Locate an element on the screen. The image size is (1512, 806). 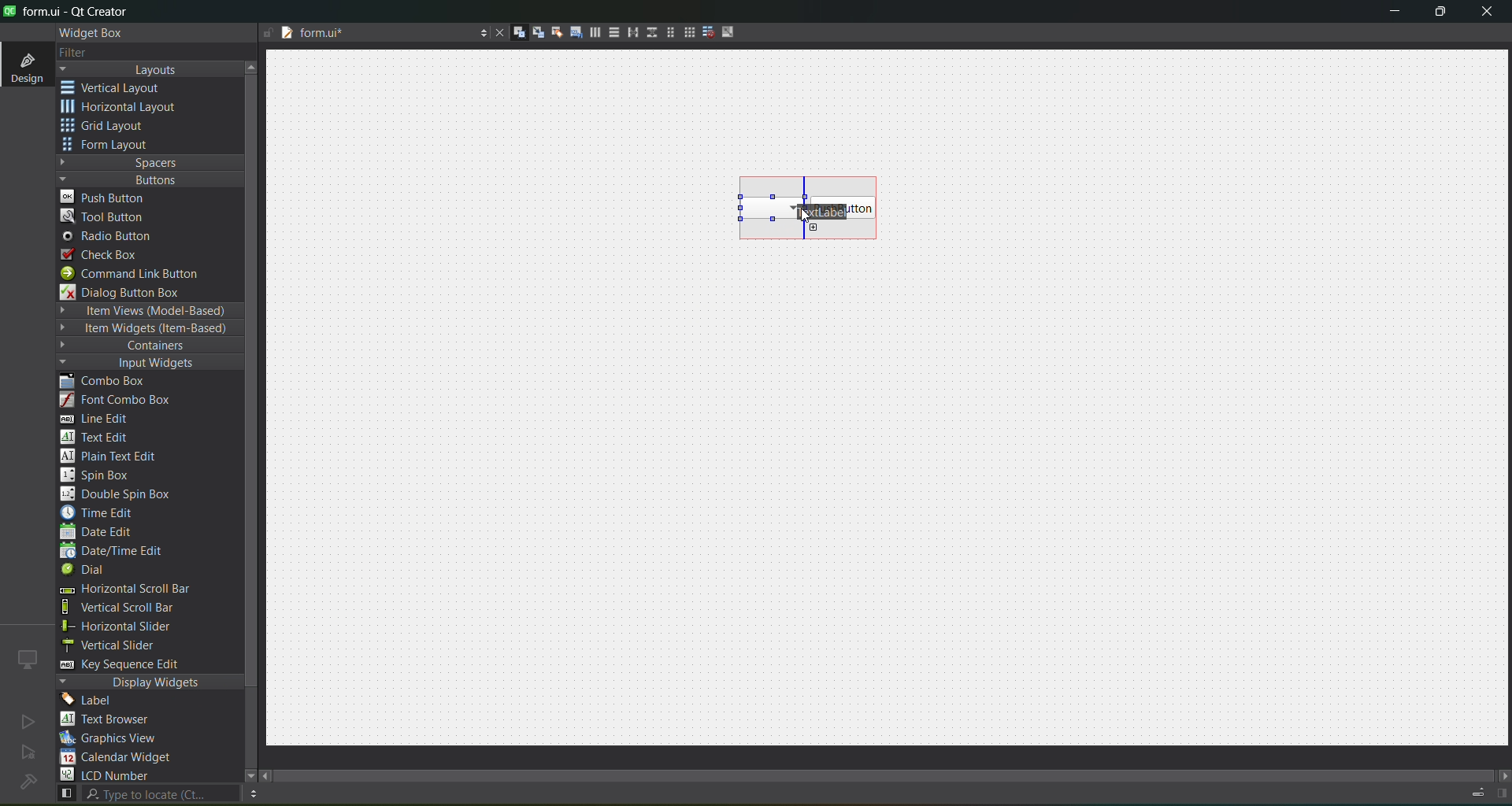
icon is located at coordinates (28, 659).